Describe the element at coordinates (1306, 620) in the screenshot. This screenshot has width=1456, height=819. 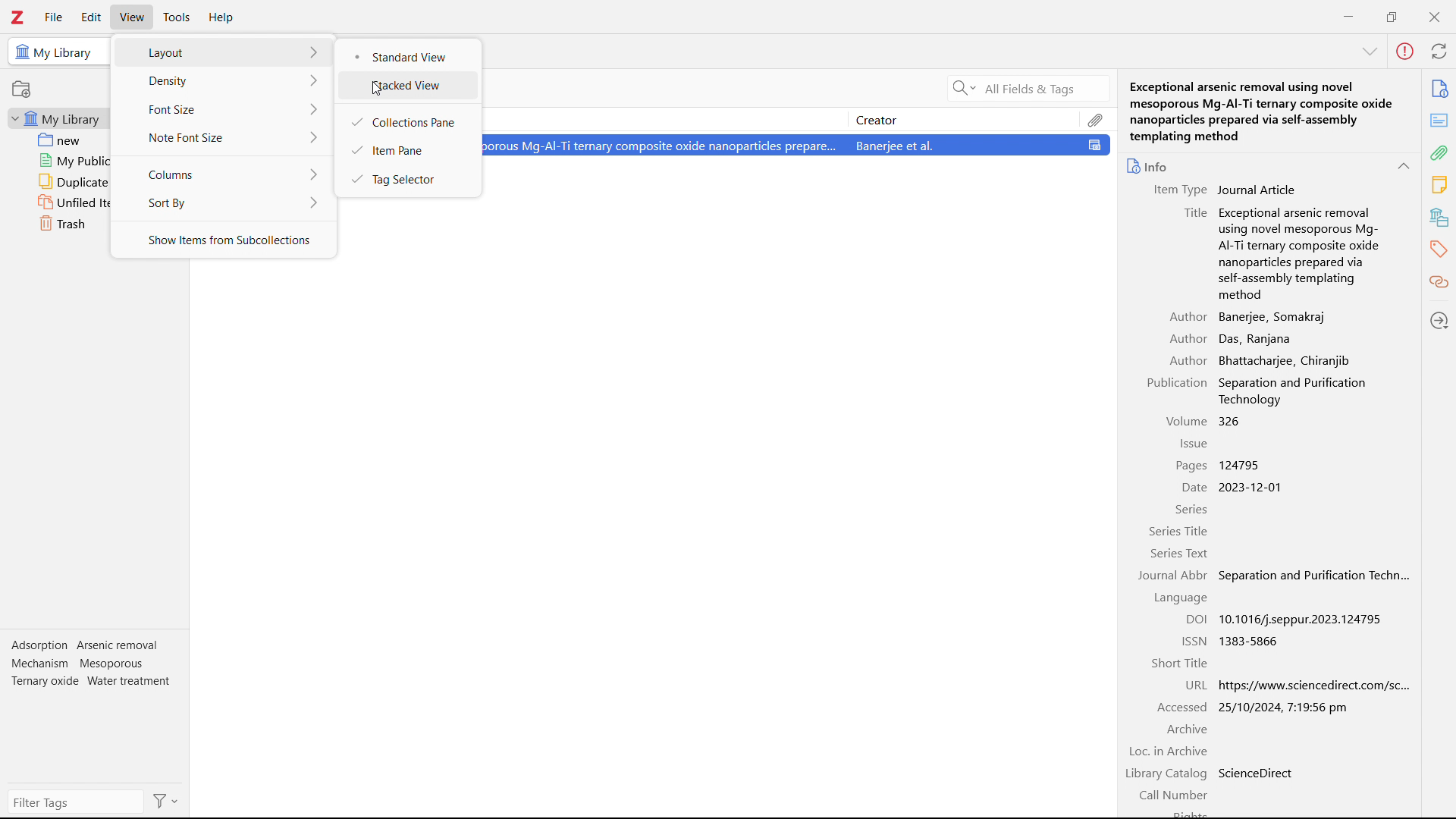
I see `10.1016/j.seppur.2023.124795` at that location.